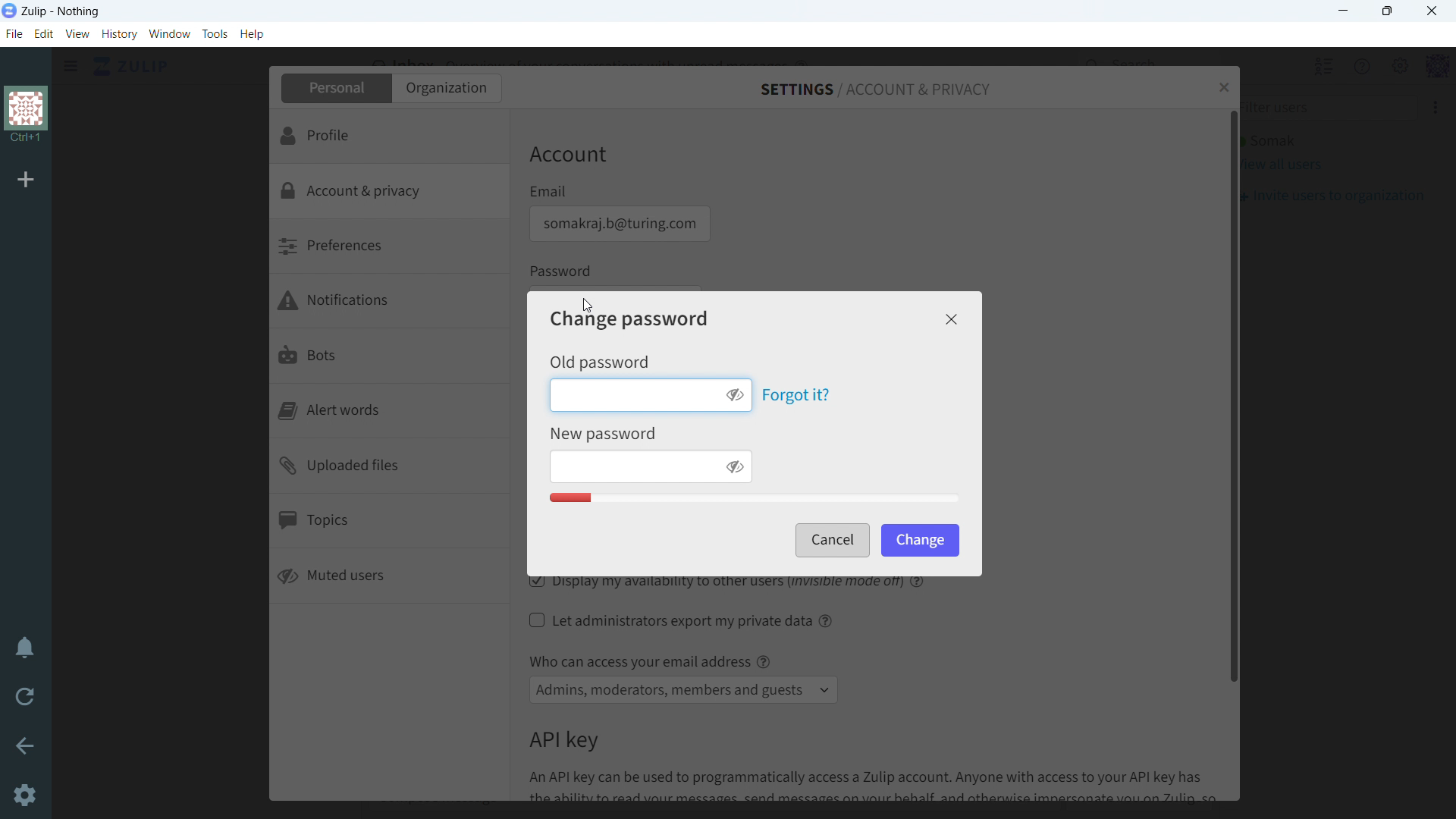  I want to click on reload, so click(24, 695).